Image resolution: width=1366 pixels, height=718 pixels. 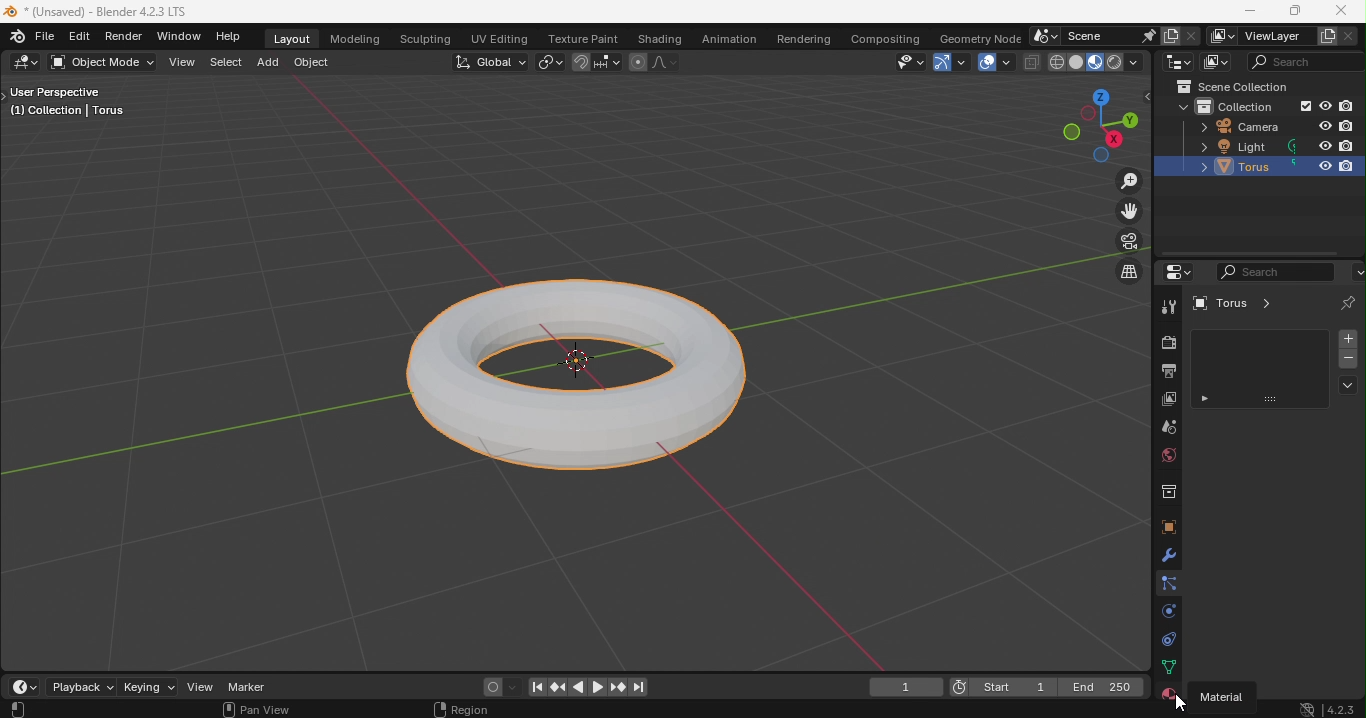 What do you see at coordinates (105, 63) in the screenshot?
I see `Sets the object interaction mode` at bounding box center [105, 63].